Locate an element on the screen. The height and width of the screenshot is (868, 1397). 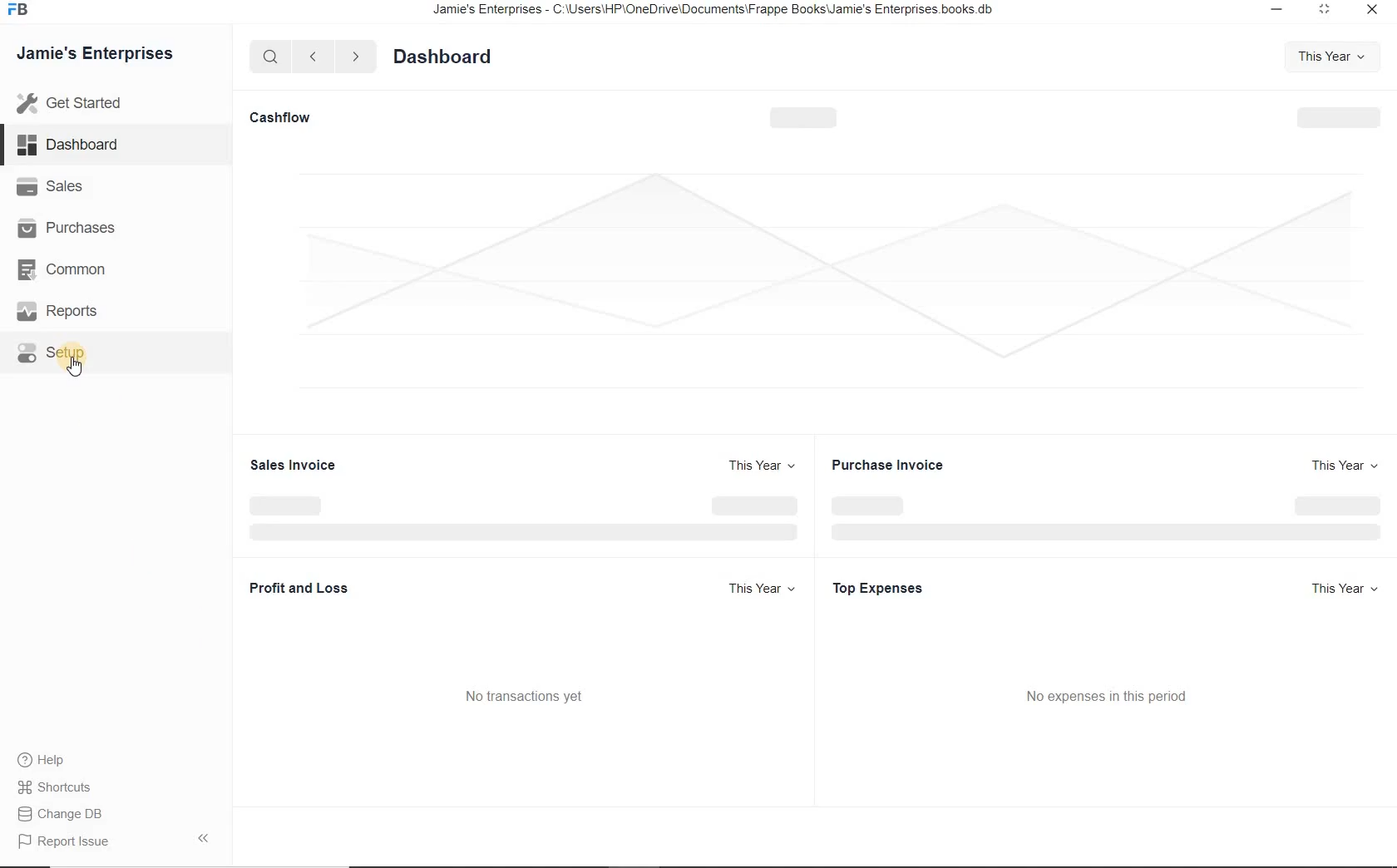
Reports is located at coordinates (74, 313).